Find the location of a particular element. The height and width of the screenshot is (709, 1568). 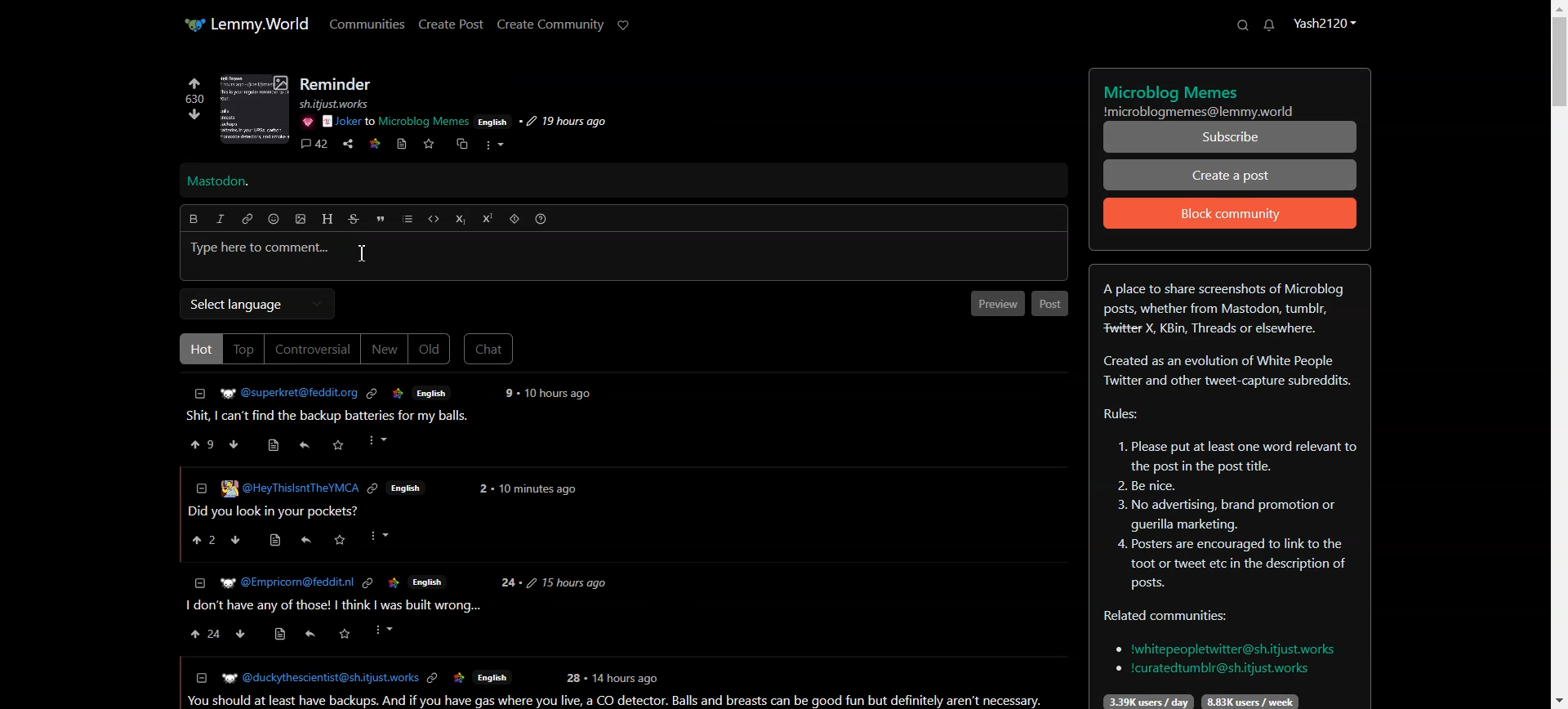

=) is located at coordinates (277, 443).